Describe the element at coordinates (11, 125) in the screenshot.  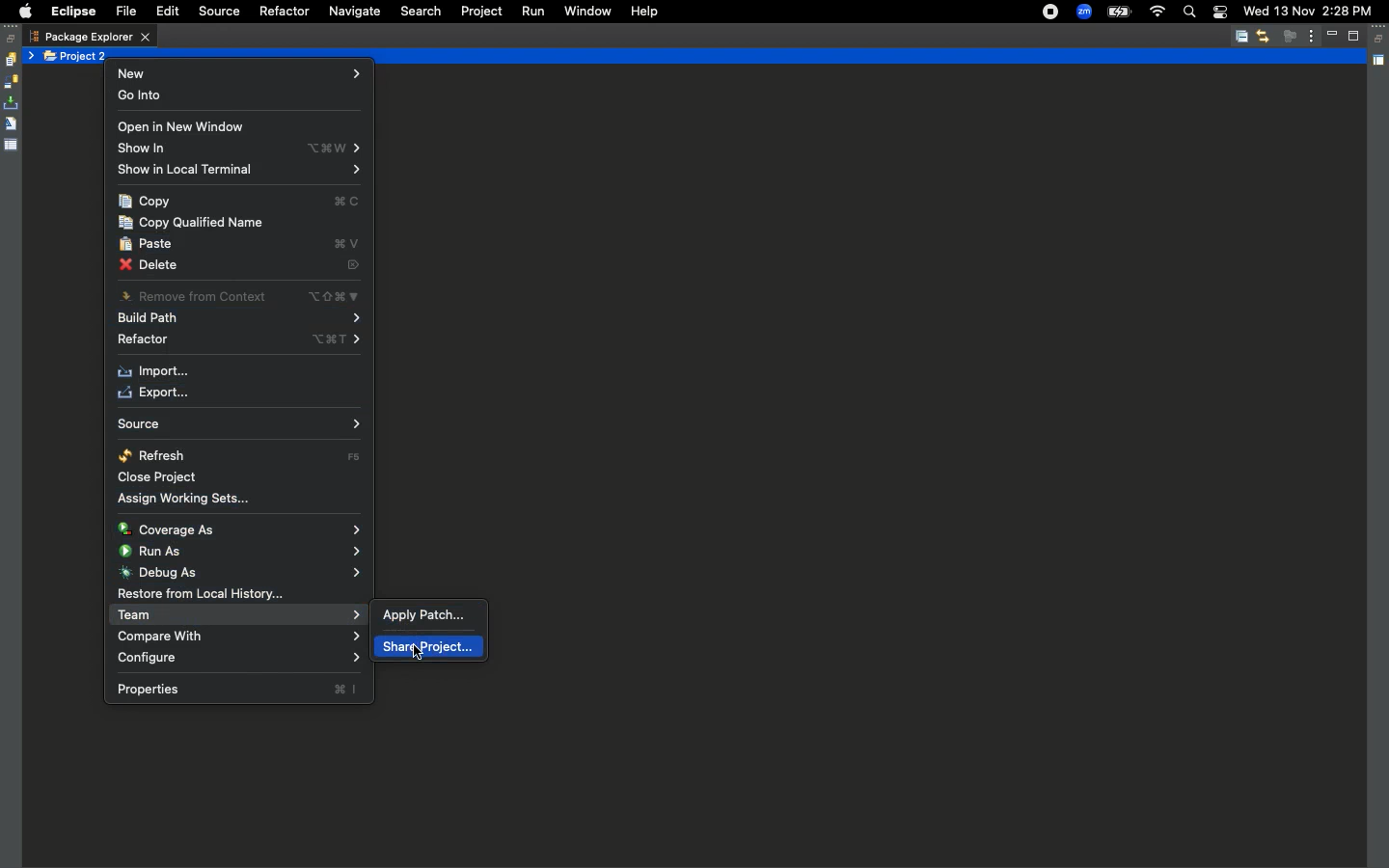
I see `Git reflog` at that location.